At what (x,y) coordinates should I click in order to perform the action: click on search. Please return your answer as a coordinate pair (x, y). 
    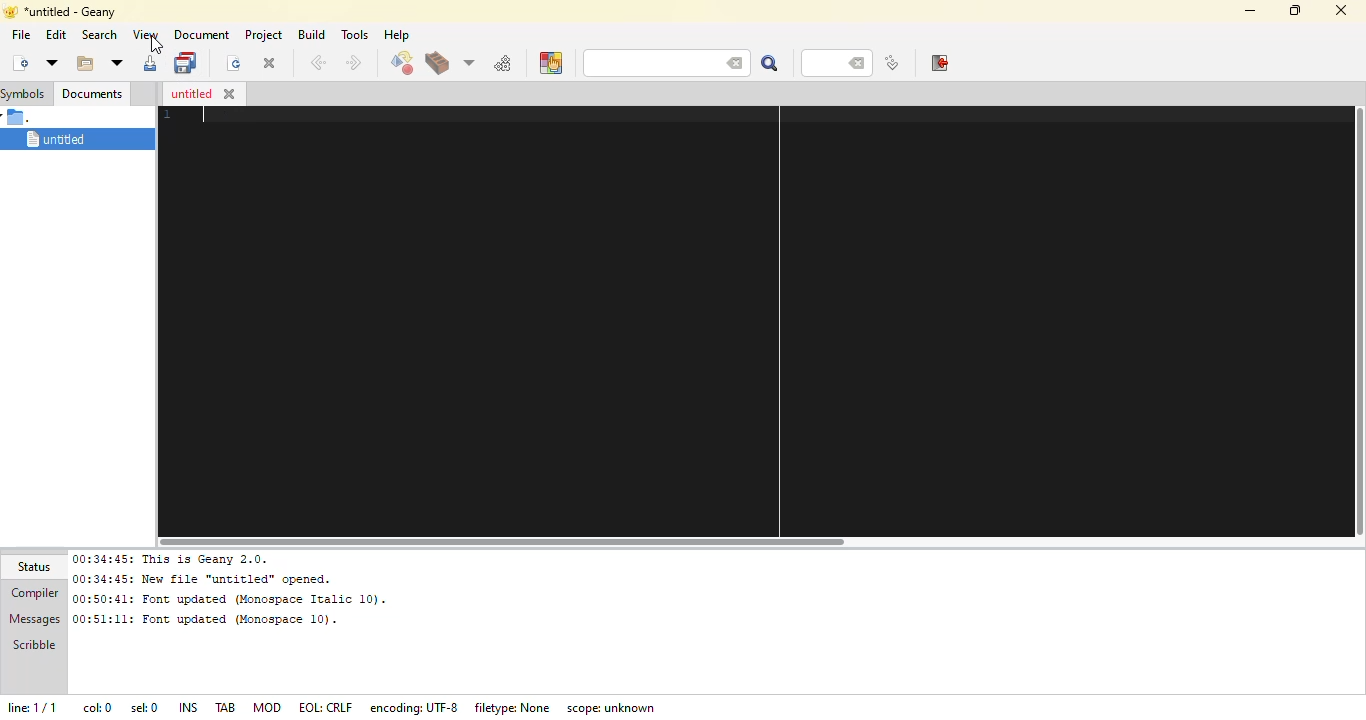
    Looking at the image, I should click on (97, 34).